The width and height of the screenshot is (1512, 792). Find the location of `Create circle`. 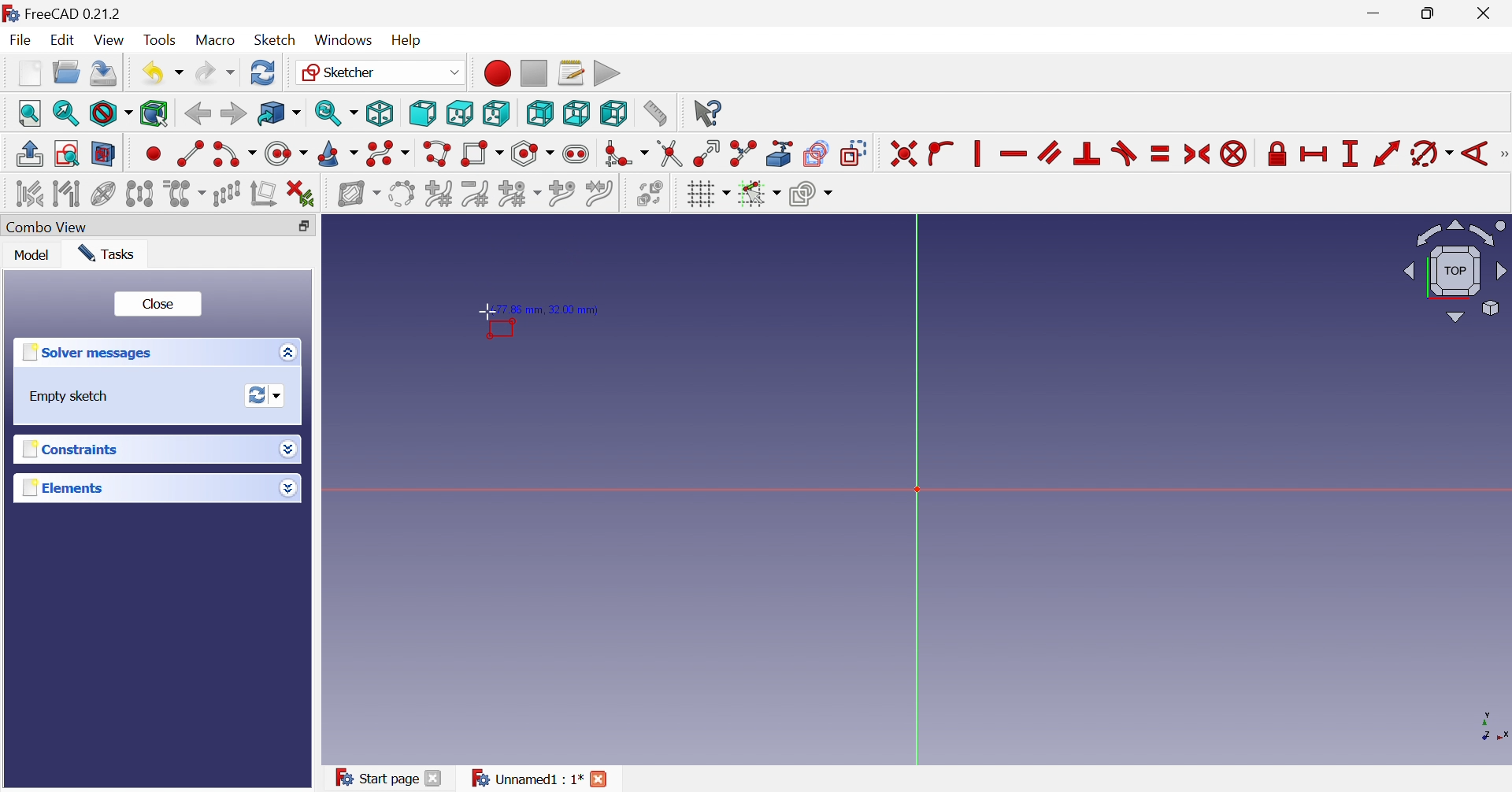

Create circle is located at coordinates (285, 154).